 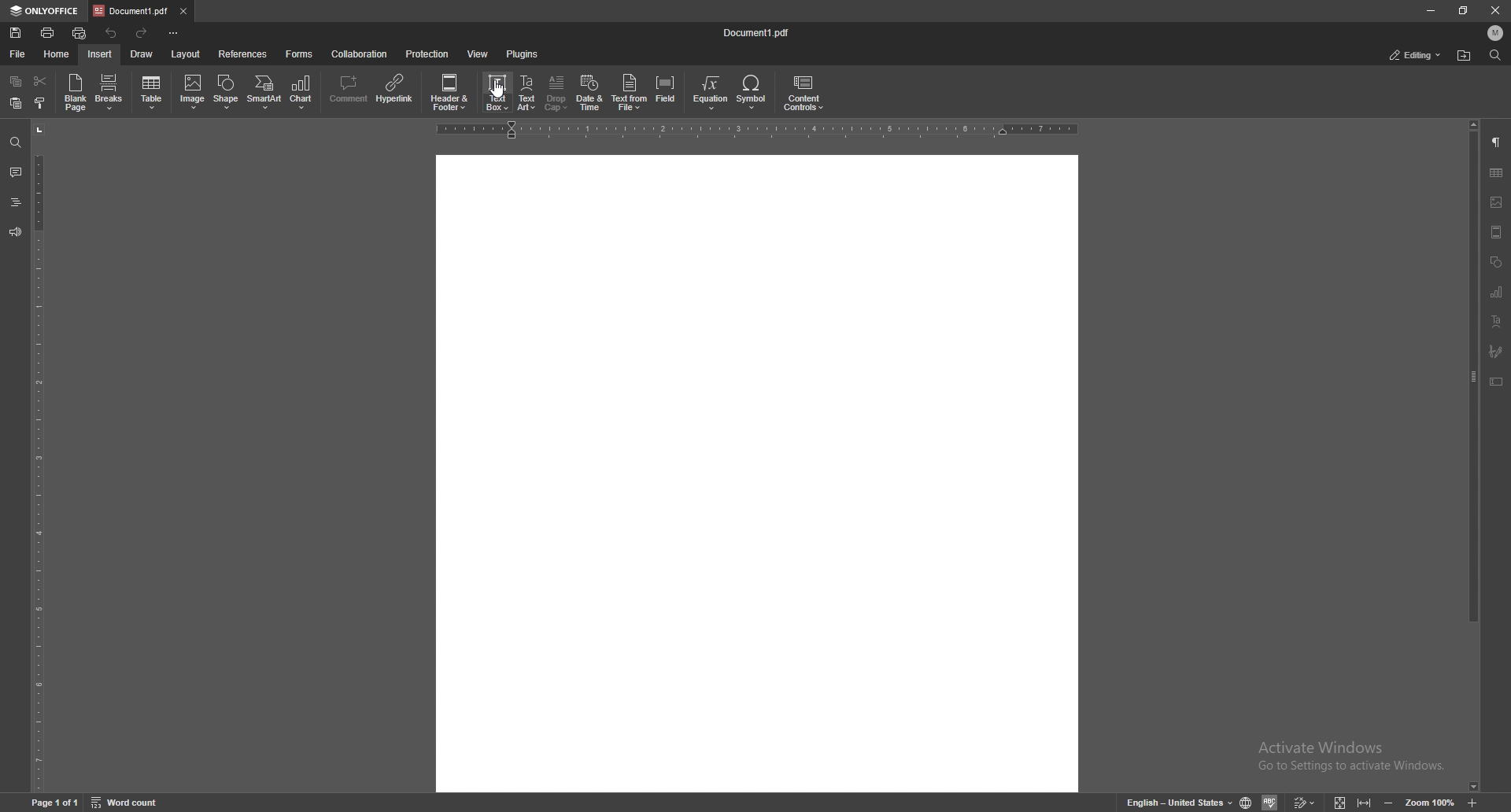 What do you see at coordinates (15, 202) in the screenshot?
I see `headings` at bounding box center [15, 202].